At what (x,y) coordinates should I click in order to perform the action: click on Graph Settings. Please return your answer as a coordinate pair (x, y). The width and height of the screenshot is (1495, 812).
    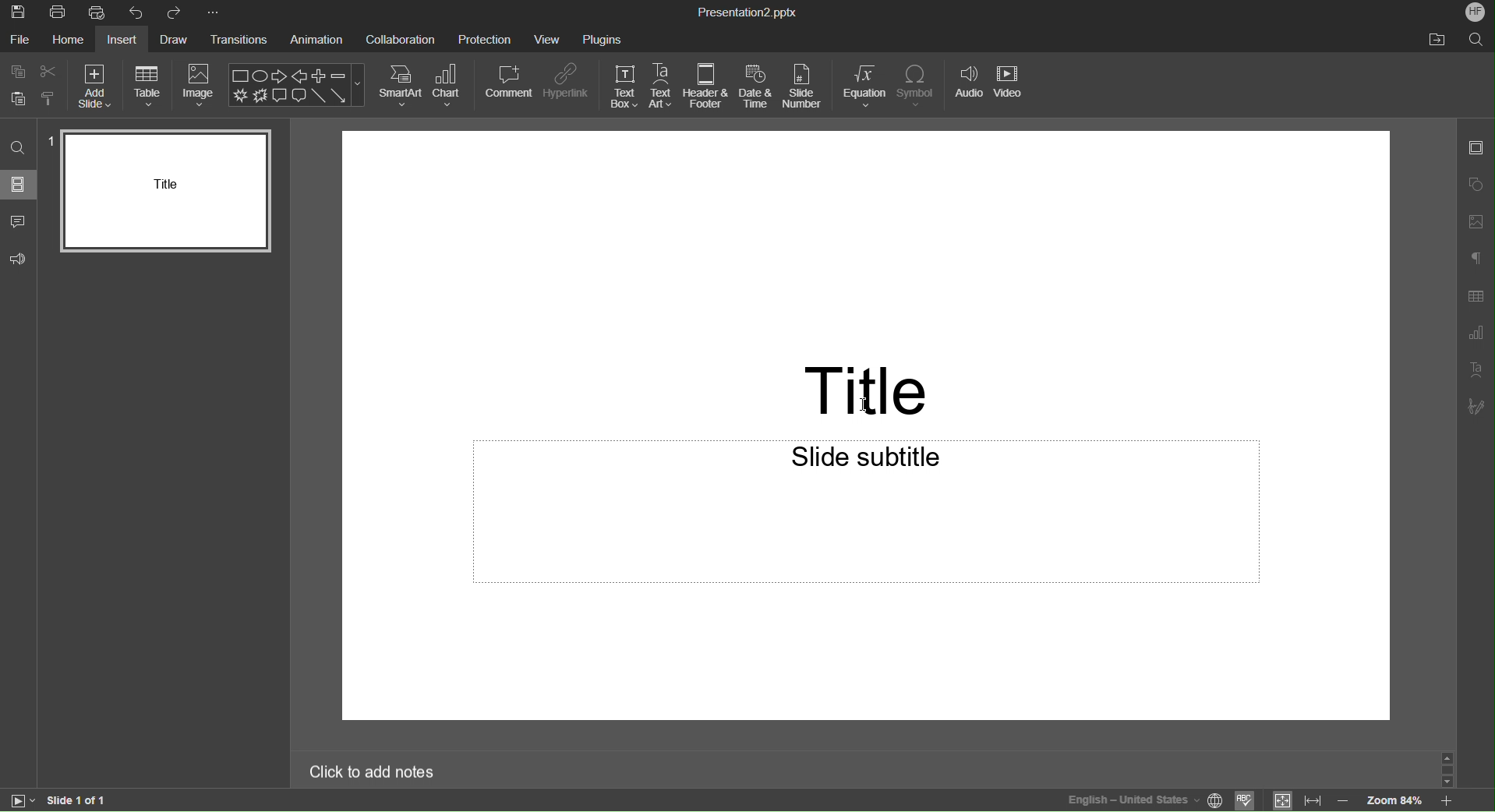
    Looking at the image, I should click on (1476, 332).